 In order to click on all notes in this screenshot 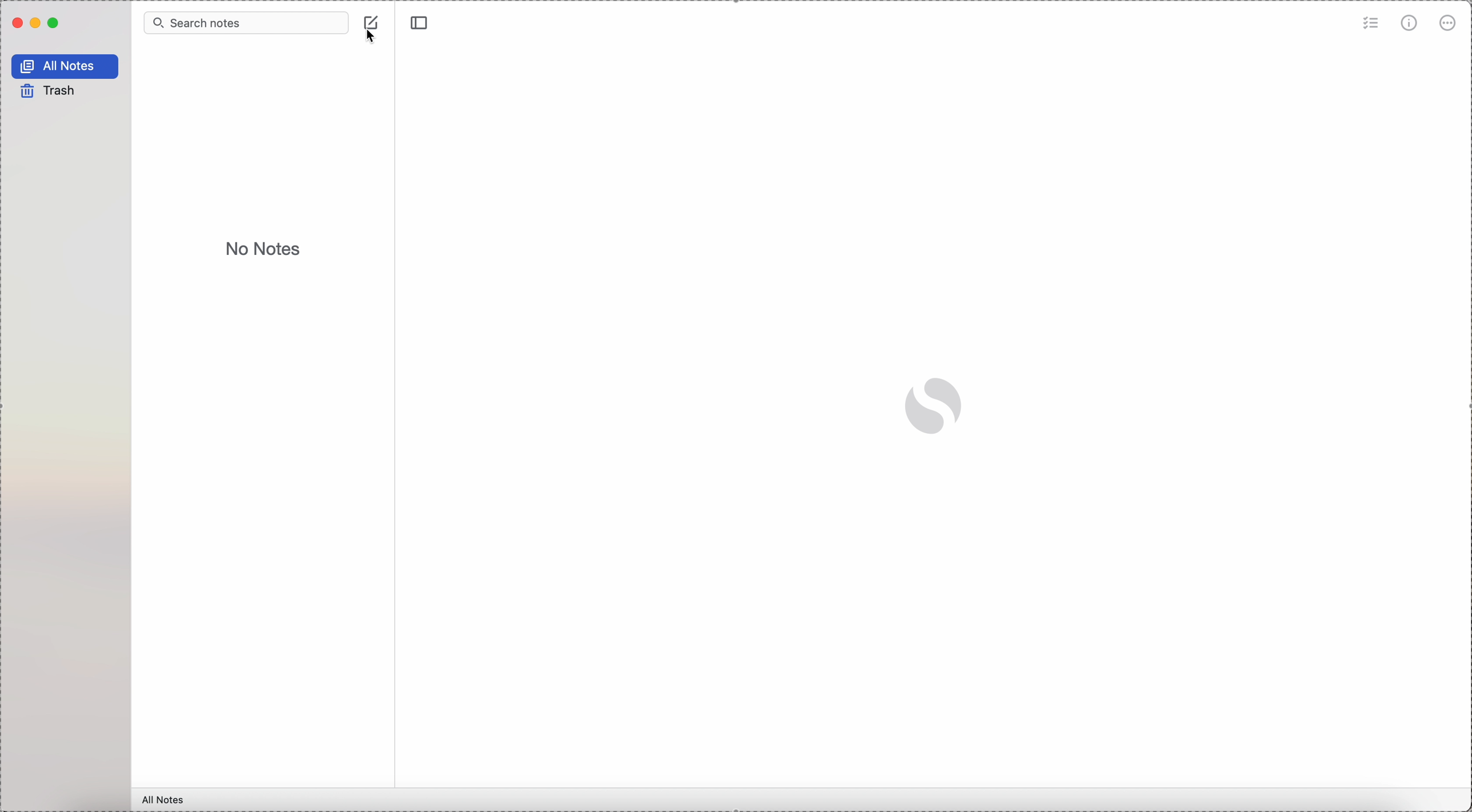, I will do `click(65, 65)`.